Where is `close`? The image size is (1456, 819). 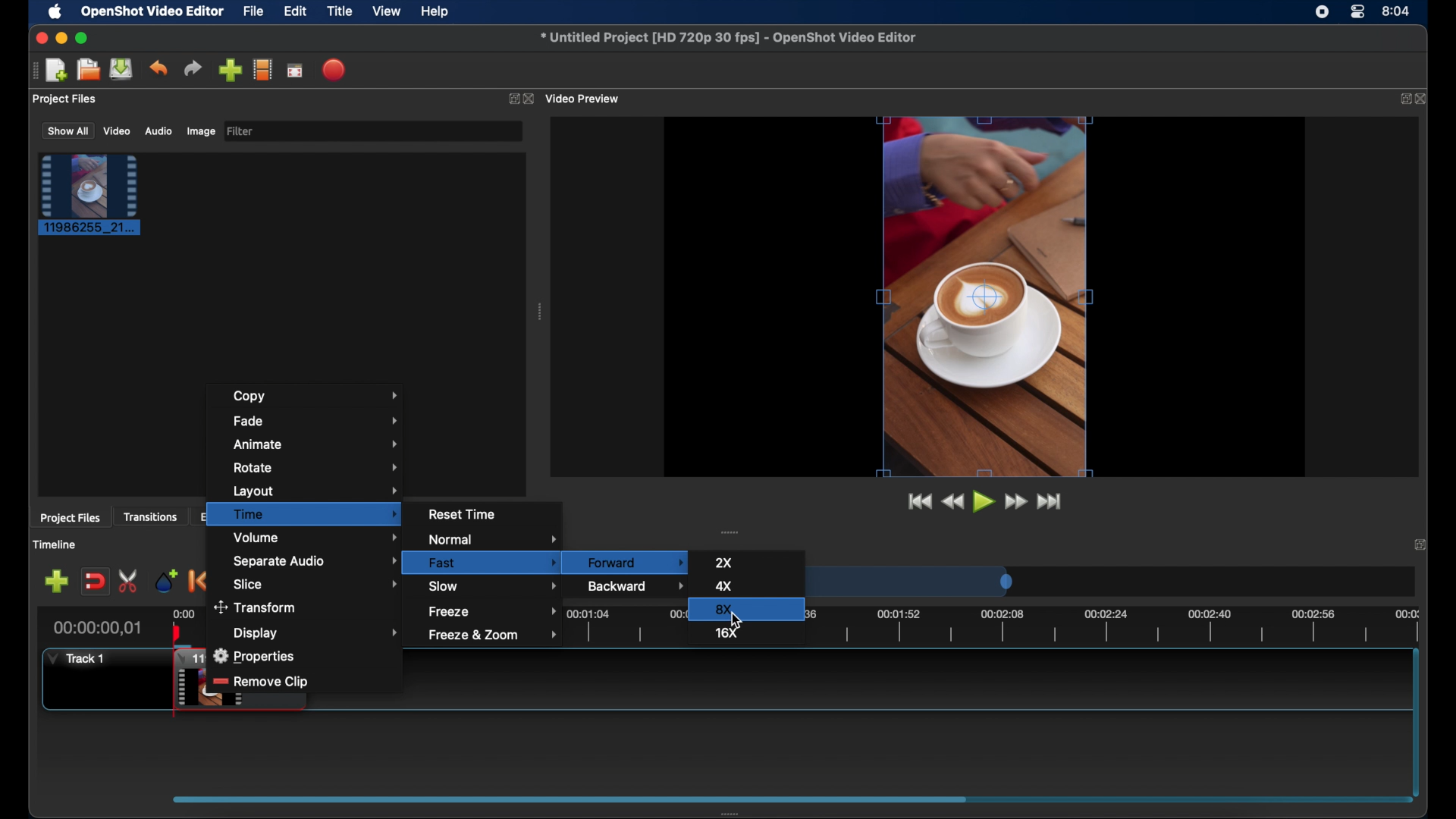
close is located at coordinates (1418, 544).